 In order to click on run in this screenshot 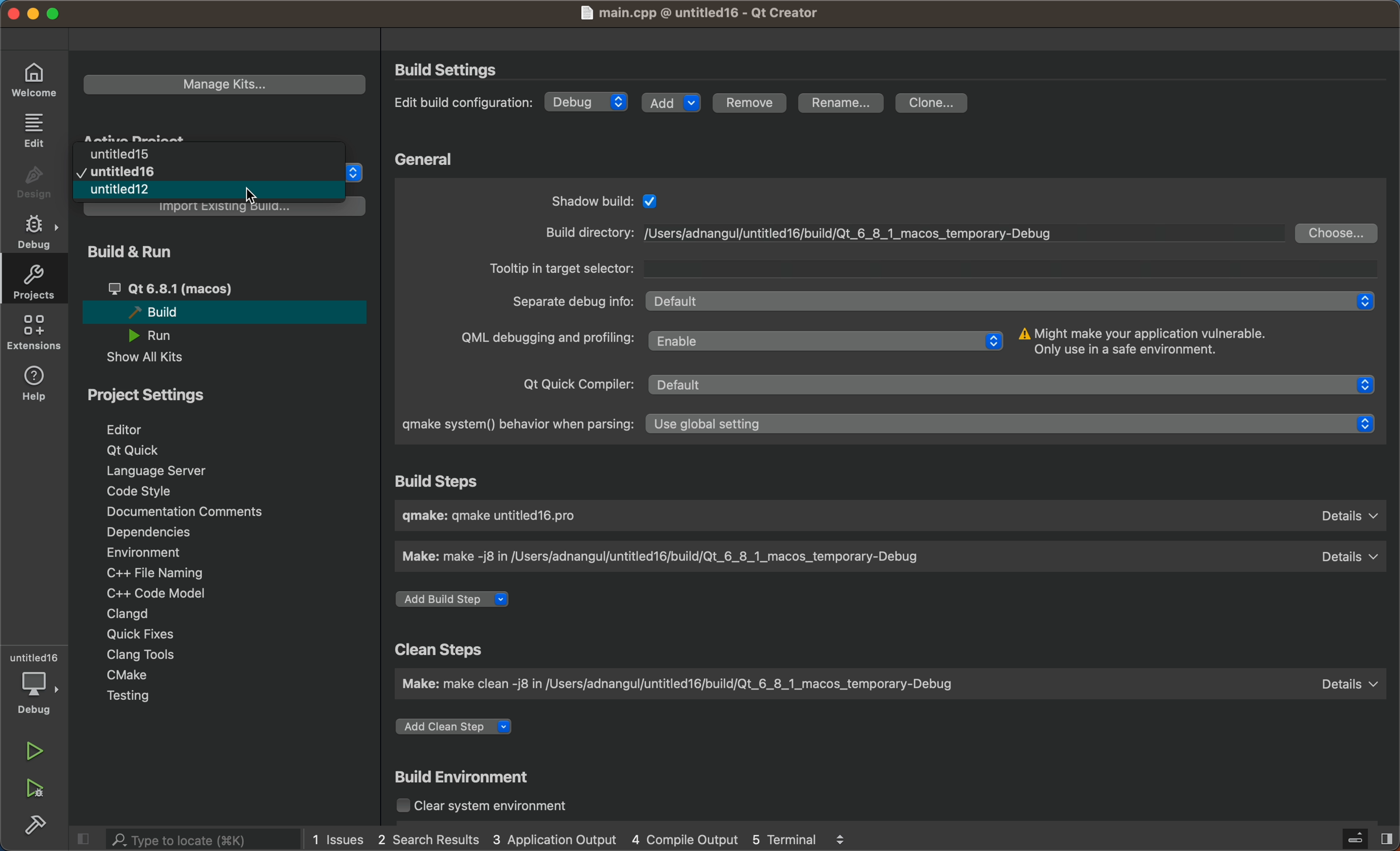, I will do `click(36, 752)`.